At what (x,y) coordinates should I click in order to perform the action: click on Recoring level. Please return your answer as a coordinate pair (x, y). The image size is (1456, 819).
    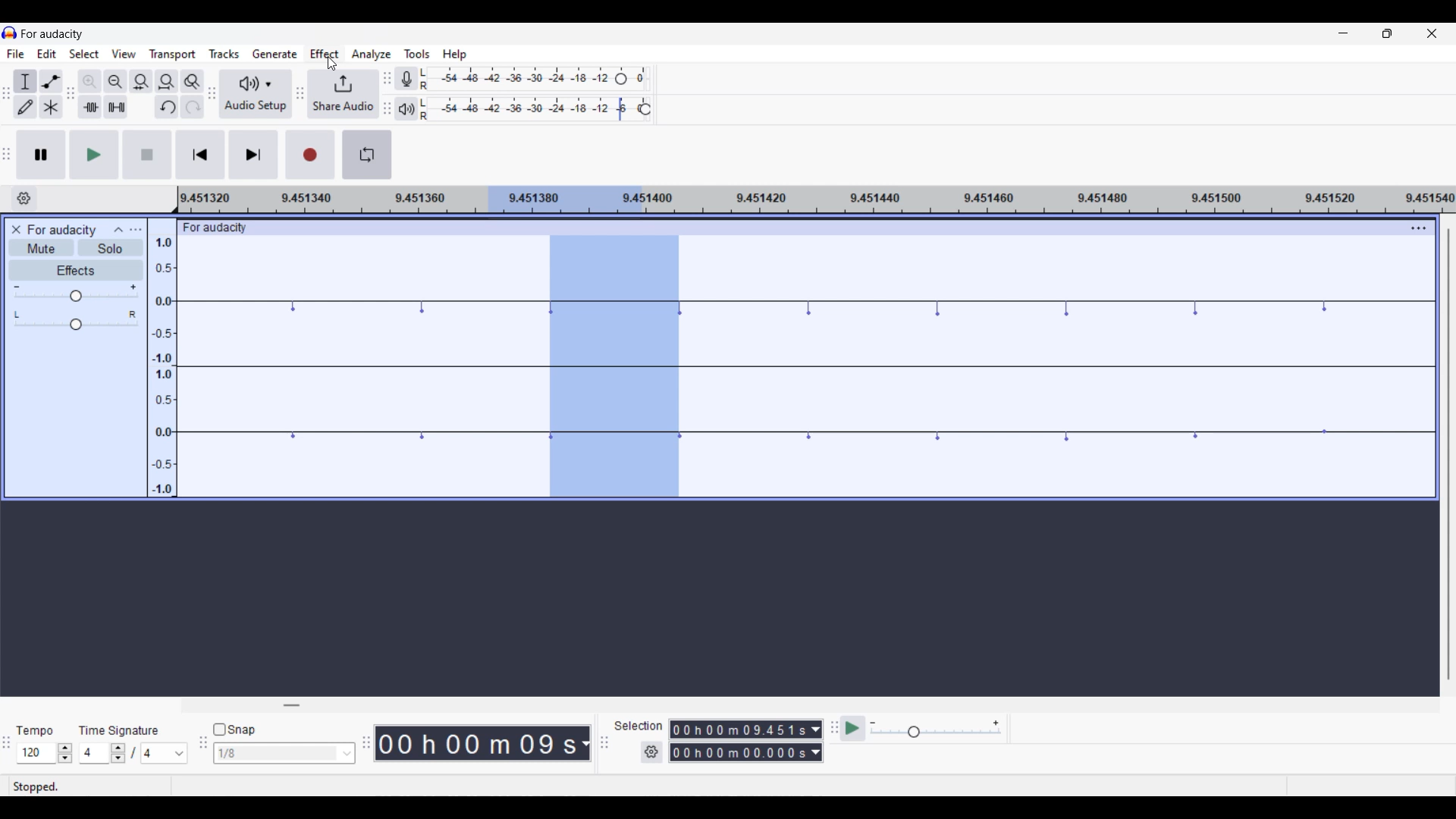
    Looking at the image, I should click on (536, 79).